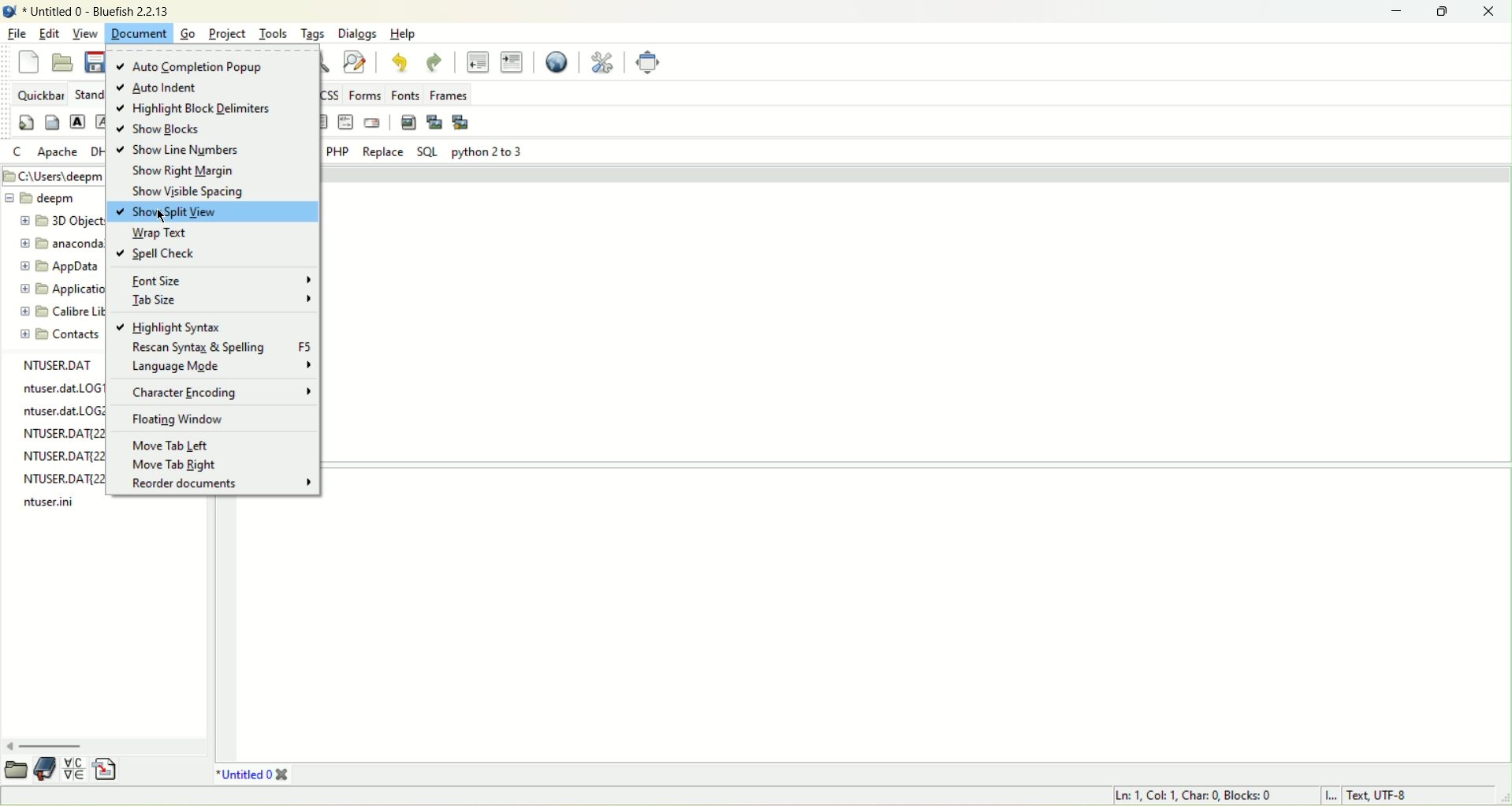 This screenshot has width=1512, height=806. I want to click on ntuser.dat, so click(49, 502).